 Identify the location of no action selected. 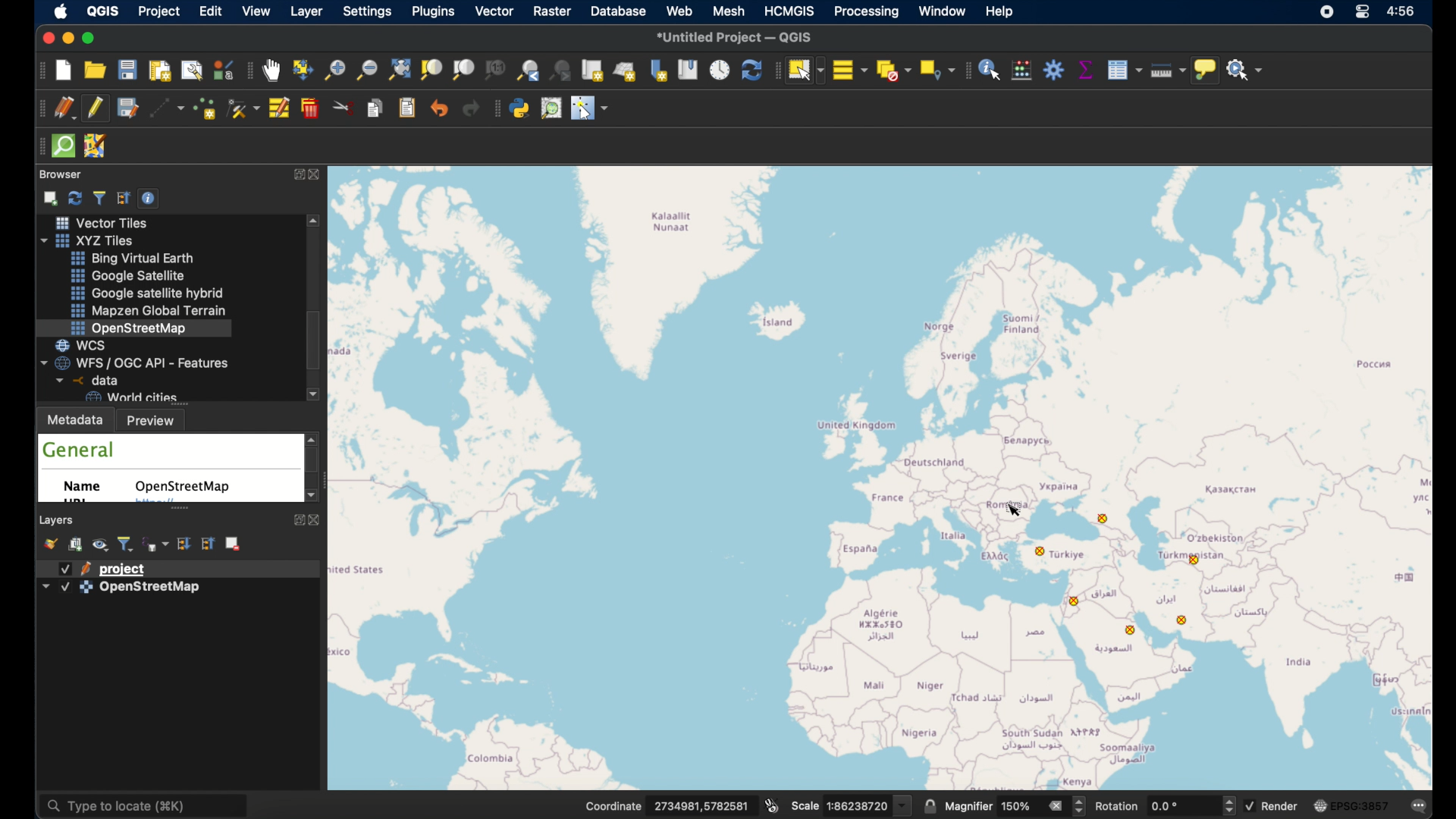
(1246, 71).